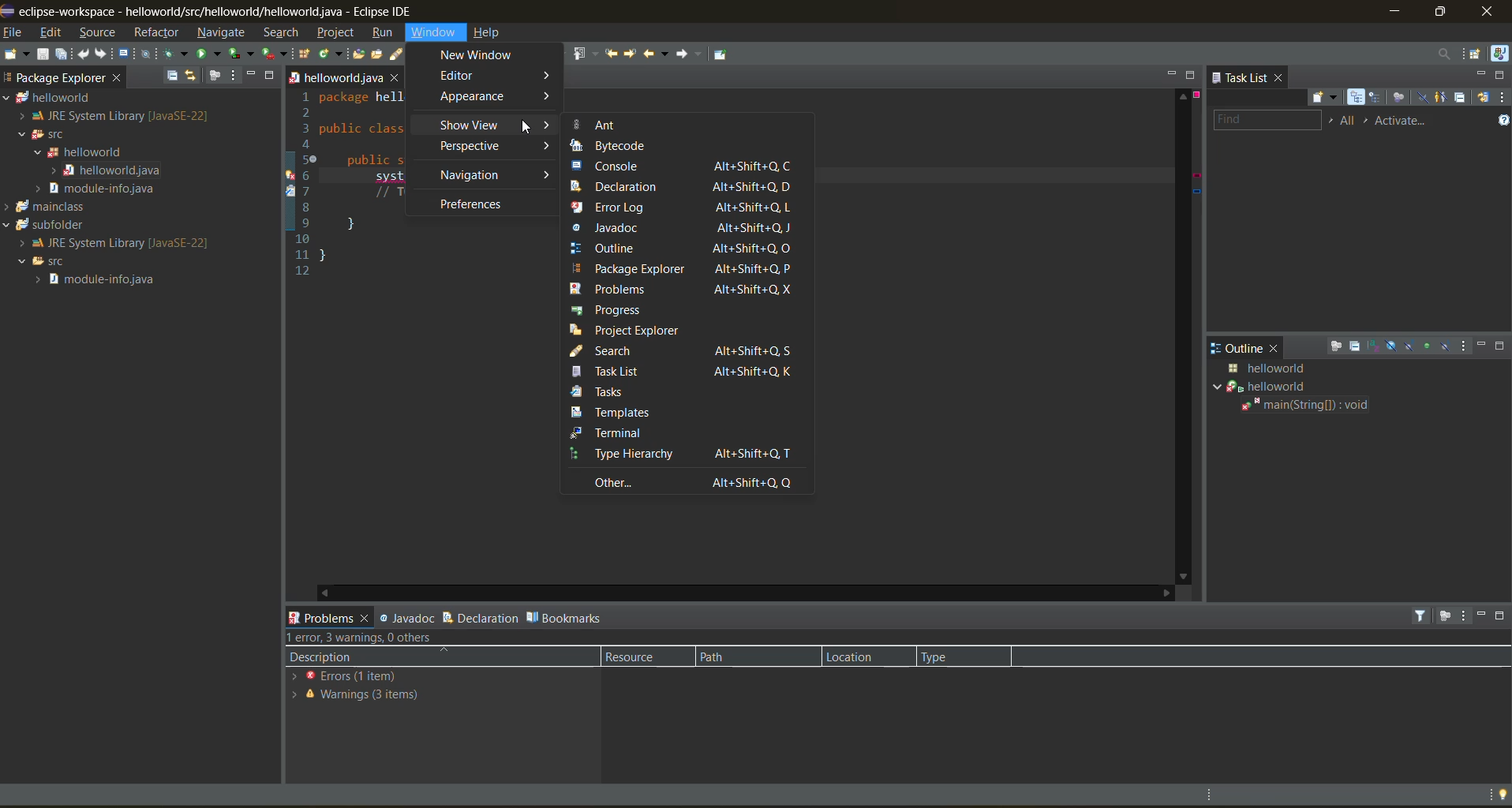 This screenshot has width=1512, height=808. What do you see at coordinates (405, 55) in the screenshot?
I see `search` at bounding box center [405, 55].